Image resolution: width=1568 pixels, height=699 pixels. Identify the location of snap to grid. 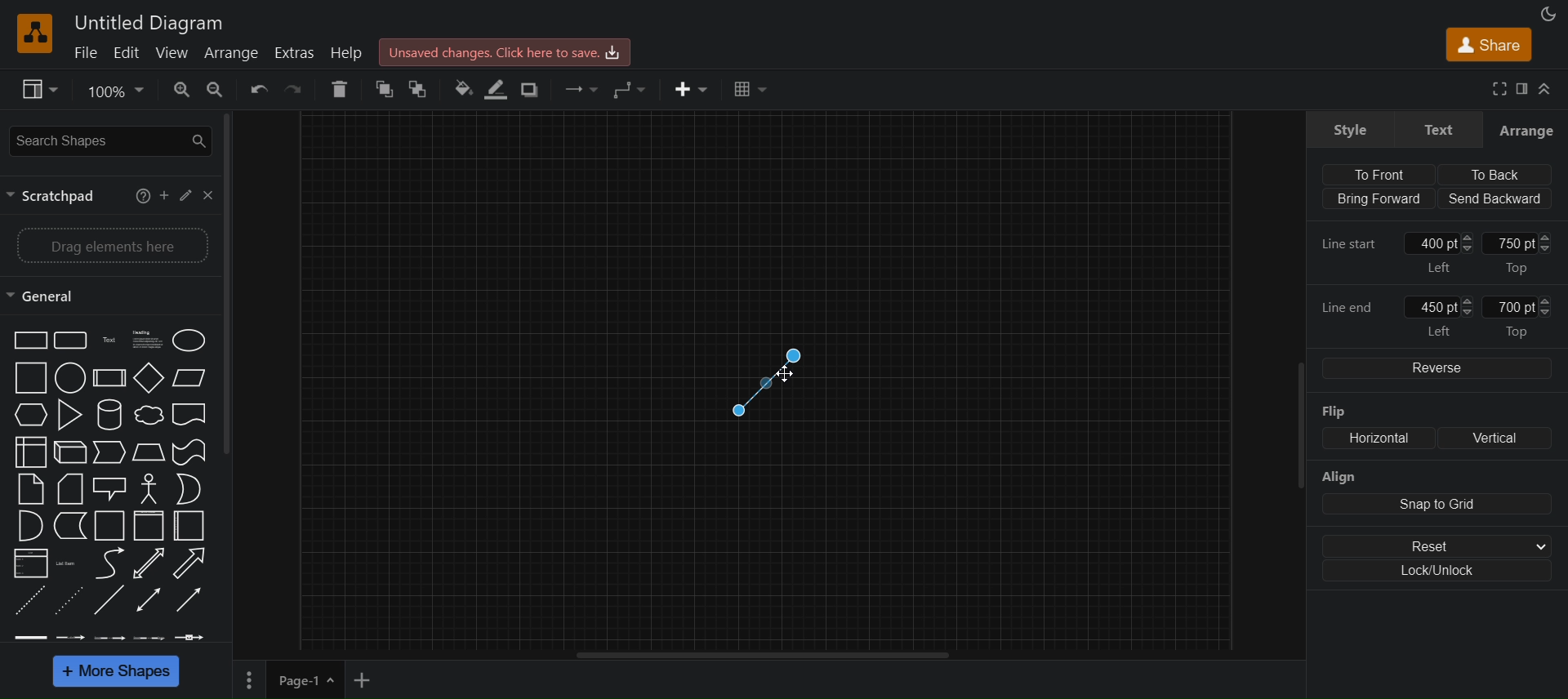
(1437, 505).